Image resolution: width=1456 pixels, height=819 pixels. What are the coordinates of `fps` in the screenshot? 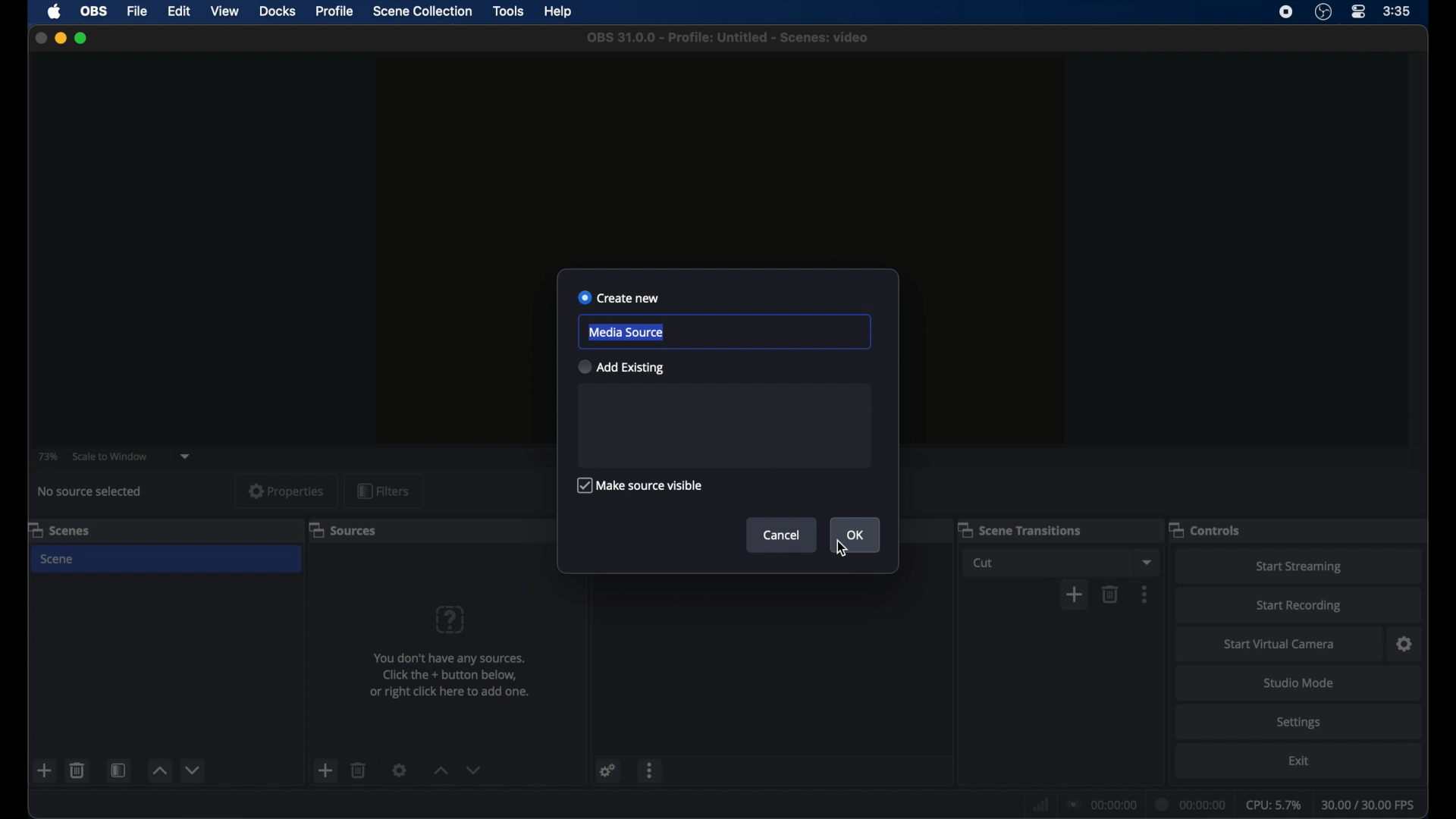 It's located at (1370, 805).